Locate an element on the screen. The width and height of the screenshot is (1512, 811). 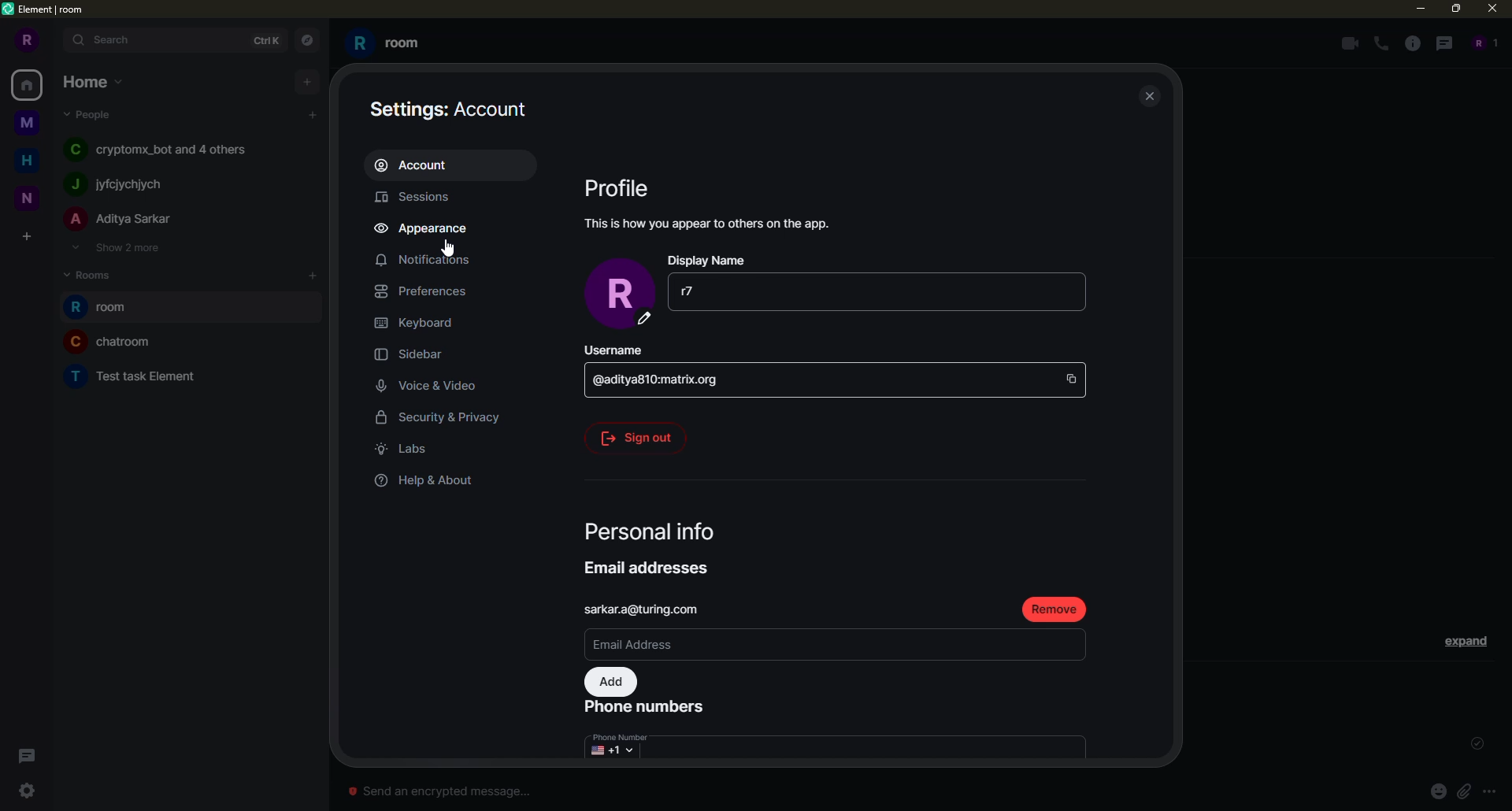
help & about is located at coordinates (426, 481).